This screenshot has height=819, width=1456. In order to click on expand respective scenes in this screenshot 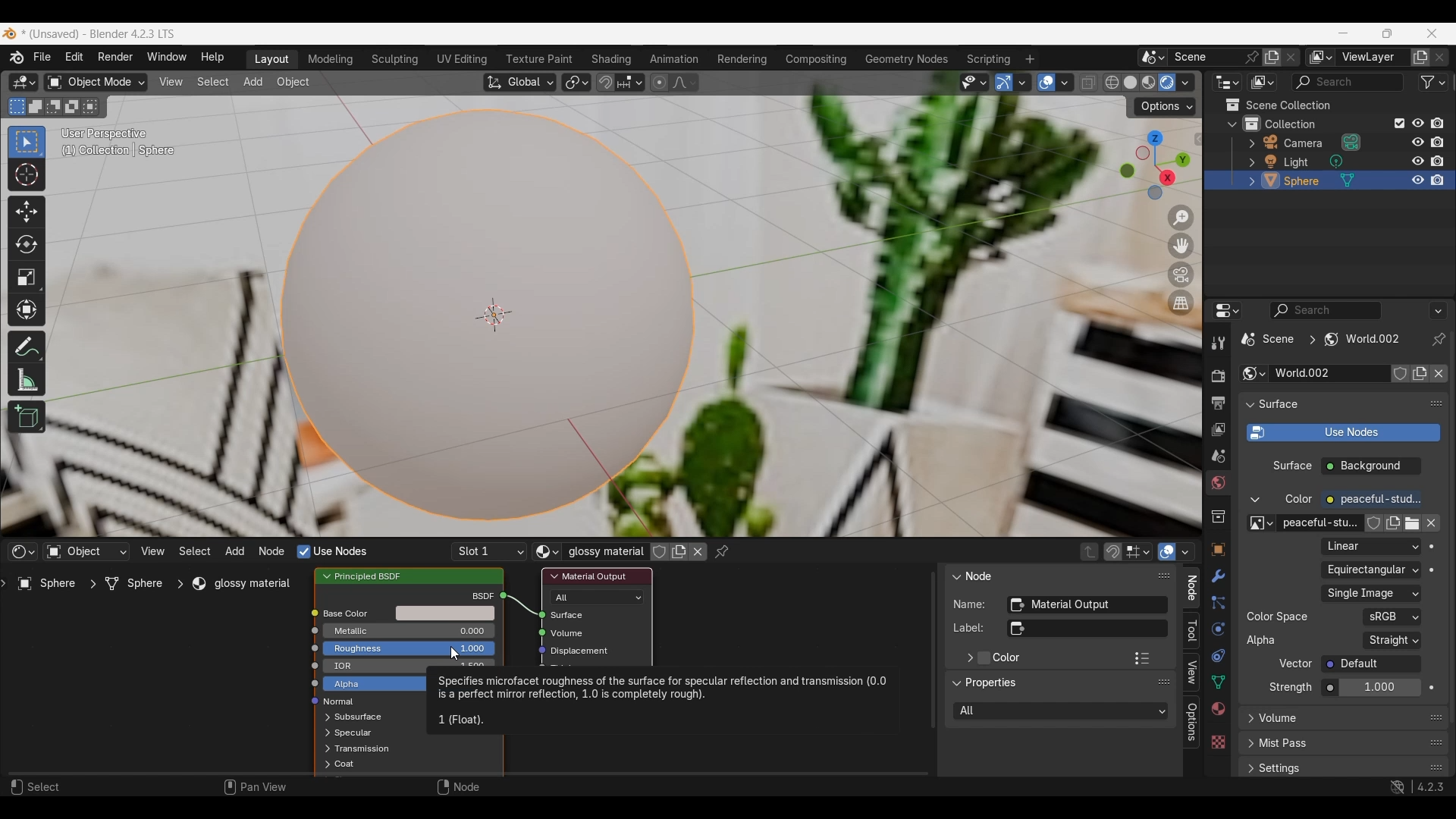, I will do `click(322, 734)`.